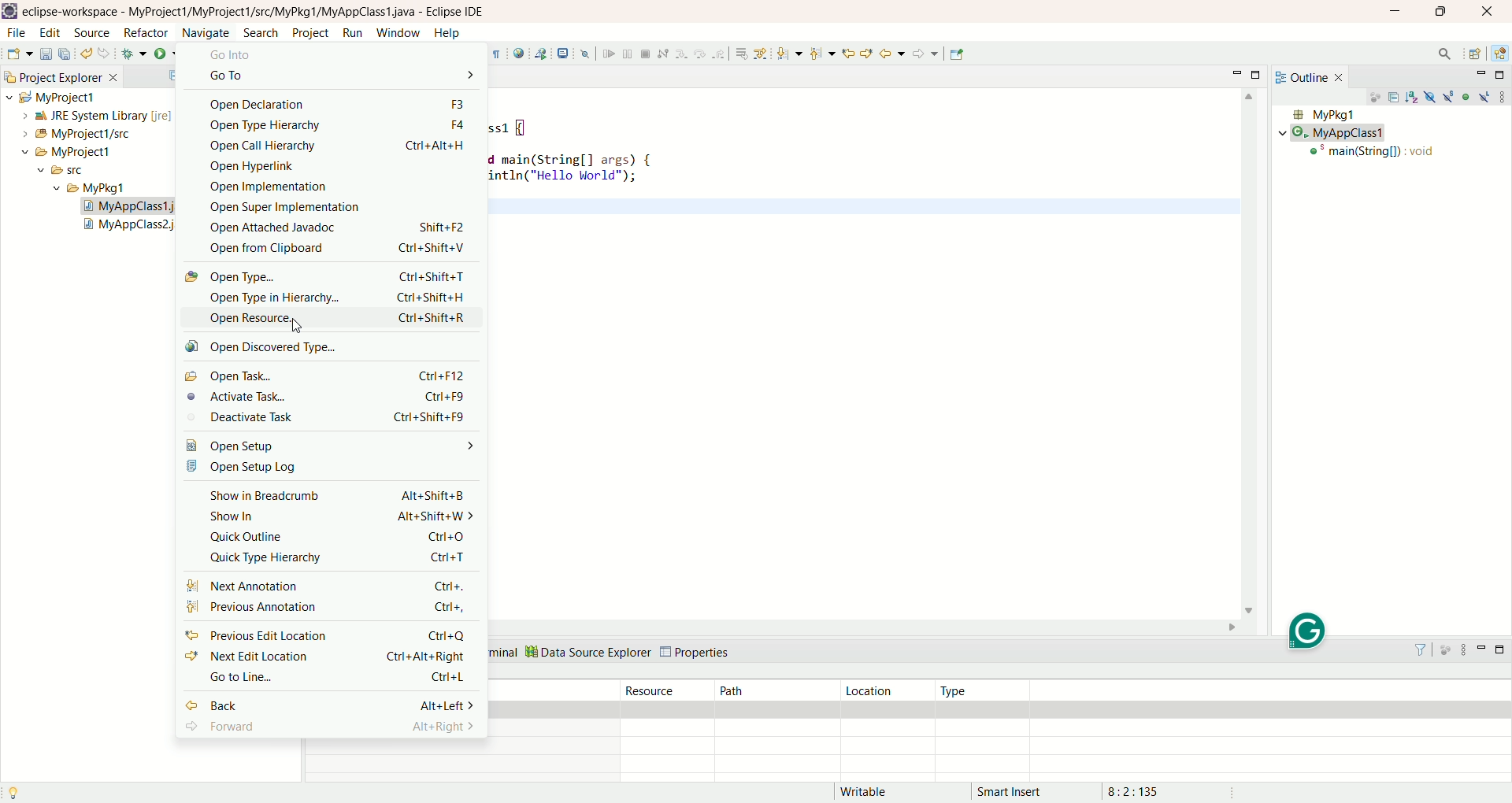  Describe the element at coordinates (168, 54) in the screenshot. I see `run` at that location.